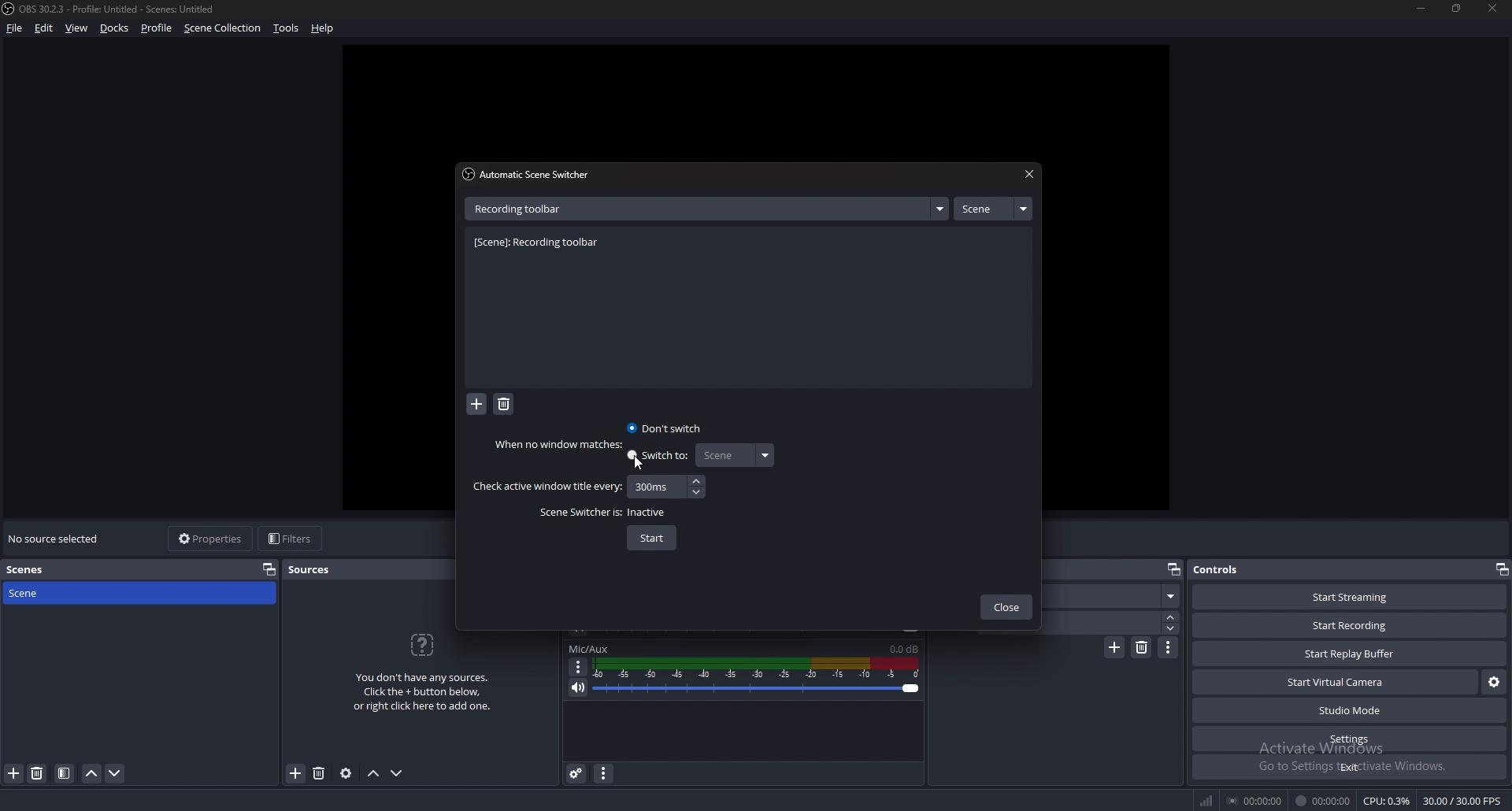 Image resolution: width=1512 pixels, height=811 pixels. What do you see at coordinates (113, 9) in the screenshot?
I see `title` at bounding box center [113, 9].